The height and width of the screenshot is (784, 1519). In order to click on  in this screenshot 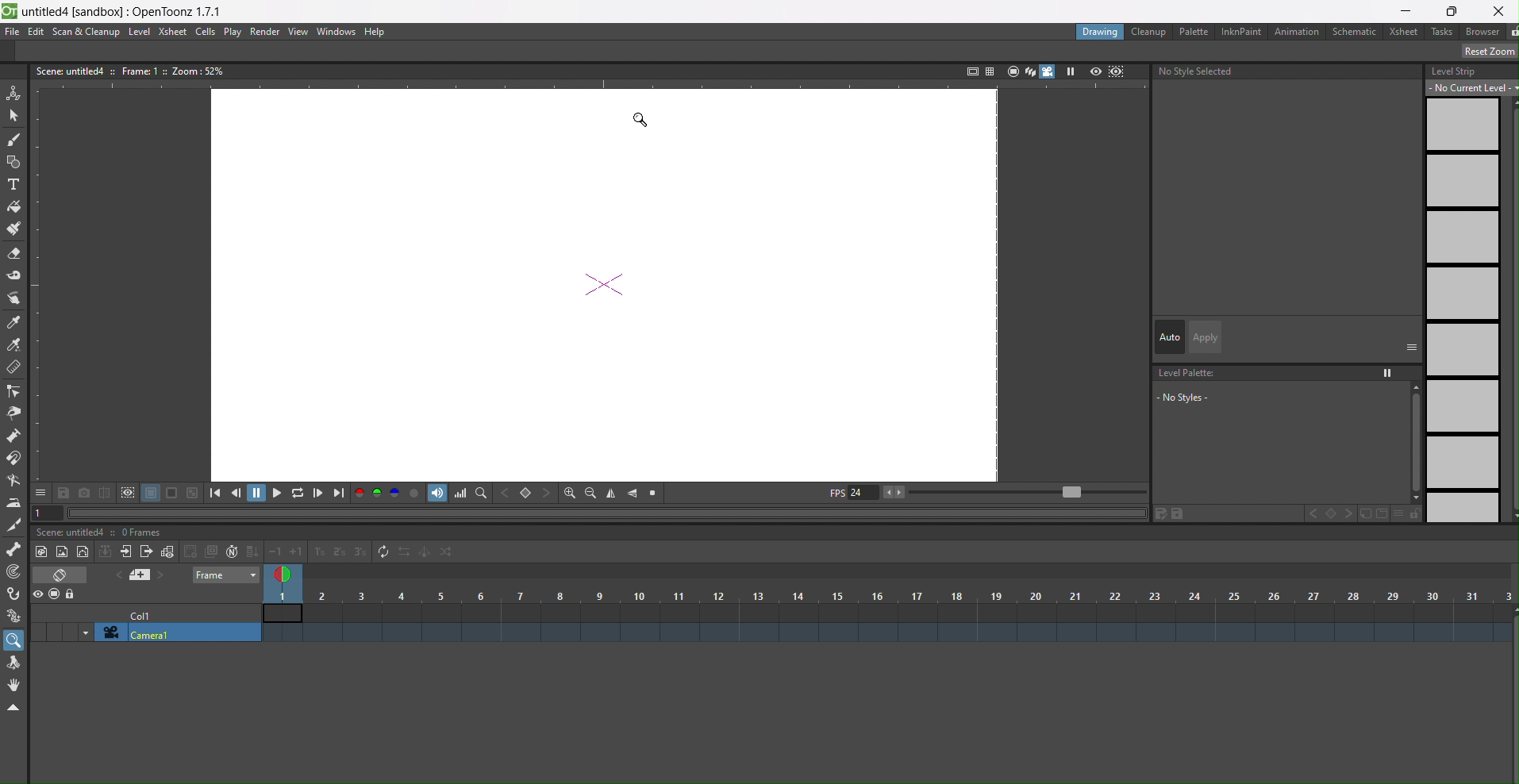, I will do `click(395, 493)`.